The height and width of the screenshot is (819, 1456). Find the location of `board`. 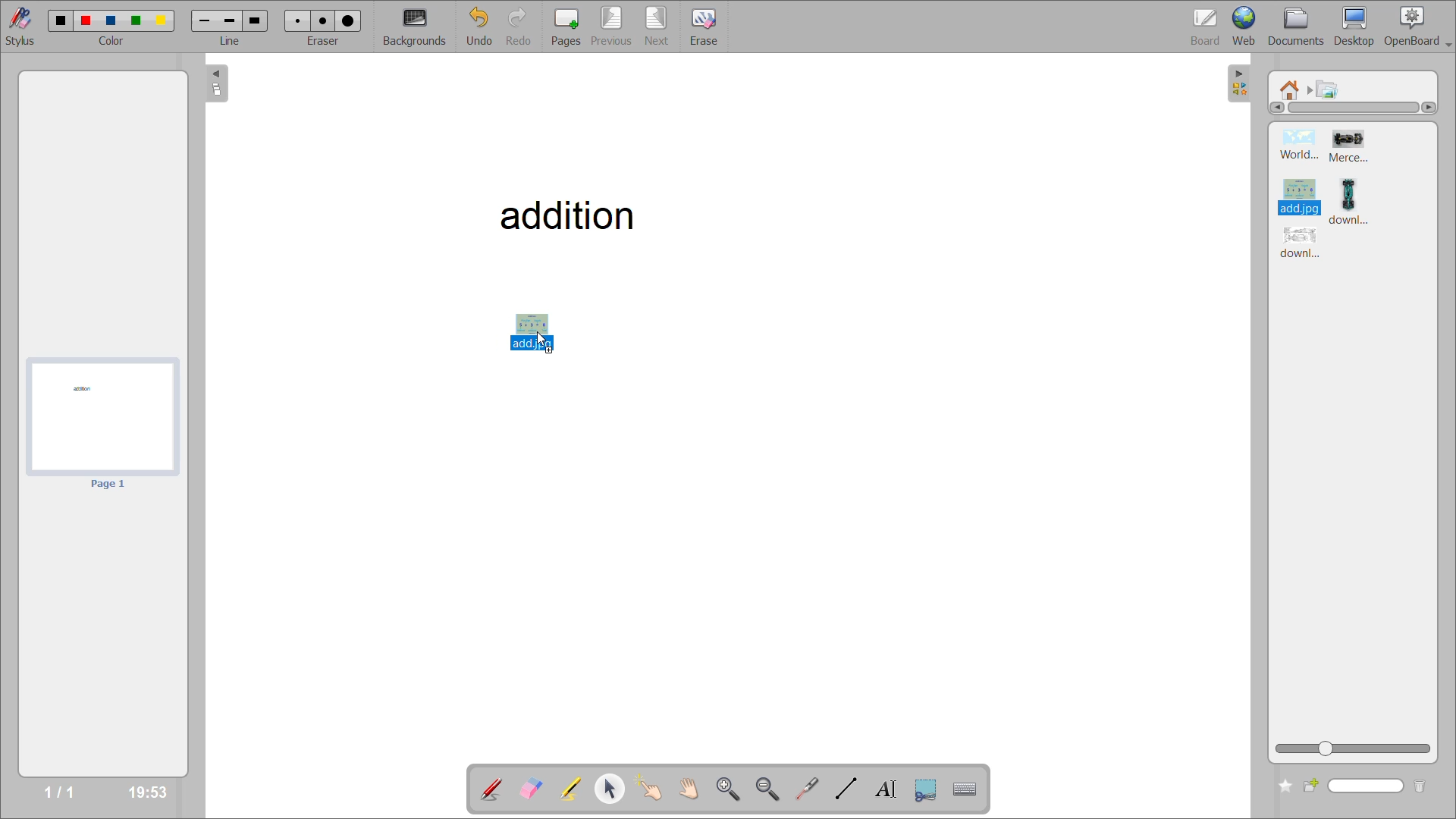

board is located at coordinates (1207, 27).